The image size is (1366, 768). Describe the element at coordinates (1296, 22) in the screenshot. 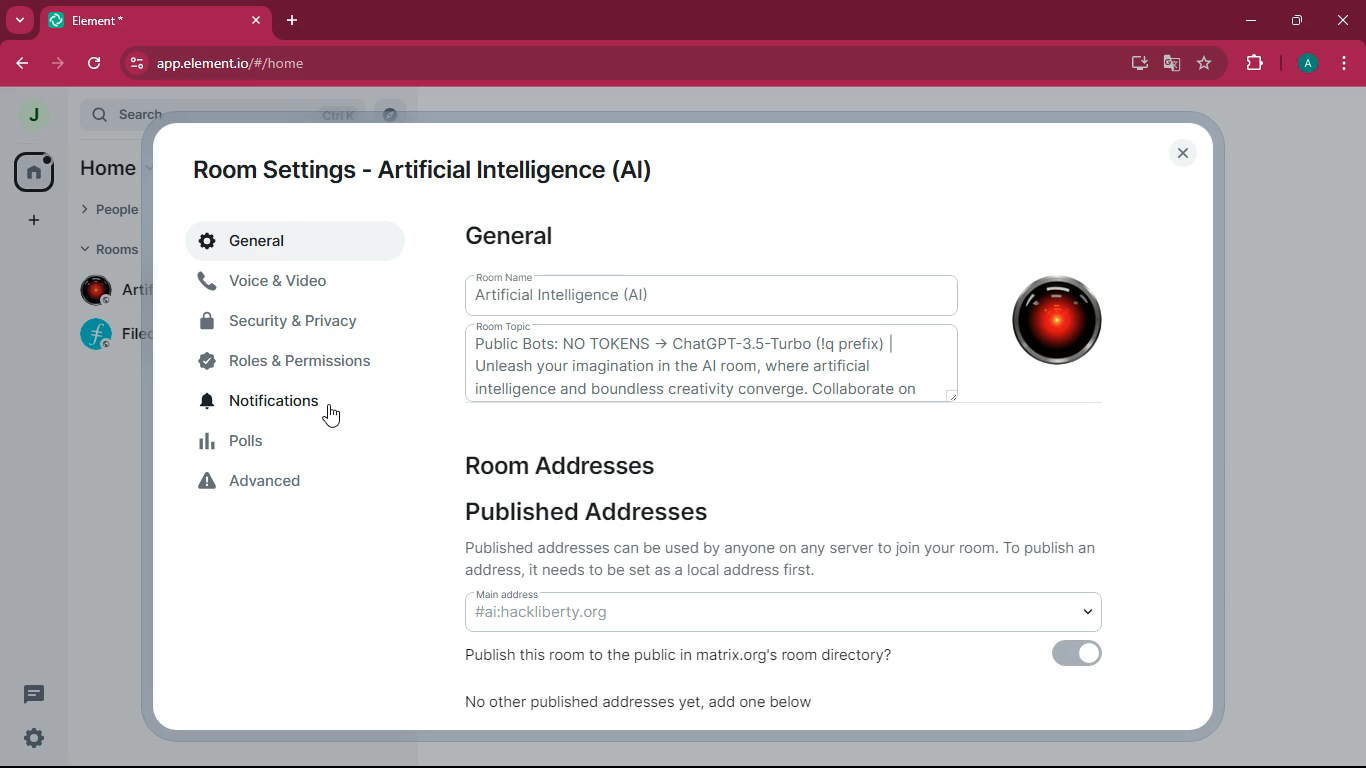

I see `maximize` at that location.